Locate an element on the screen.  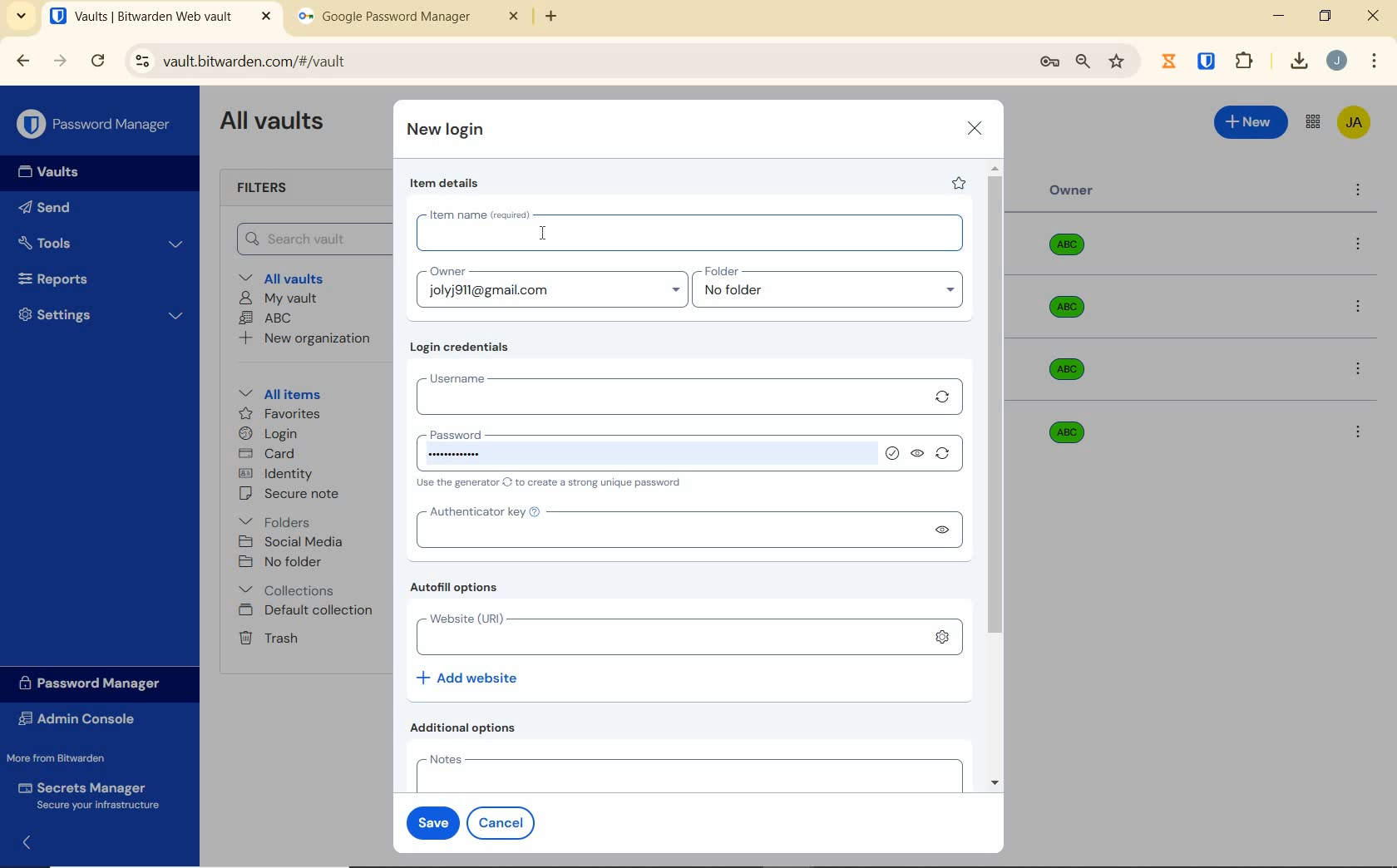
option is located at coordinates (1357, 431).